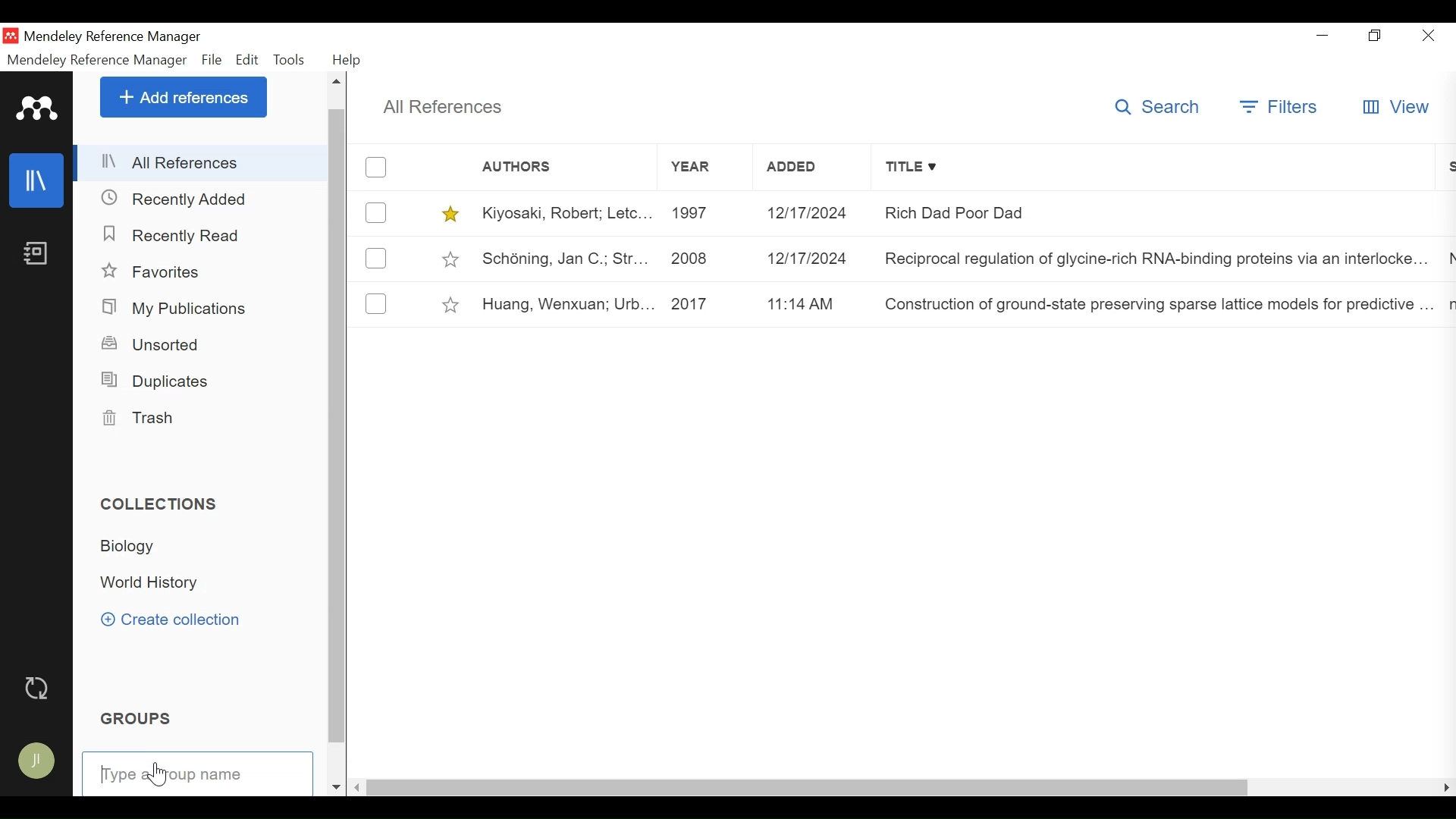  What do you see at coordinates (447, 106) in the screenshot?
I see `All References` at bounding box center [447, 106].